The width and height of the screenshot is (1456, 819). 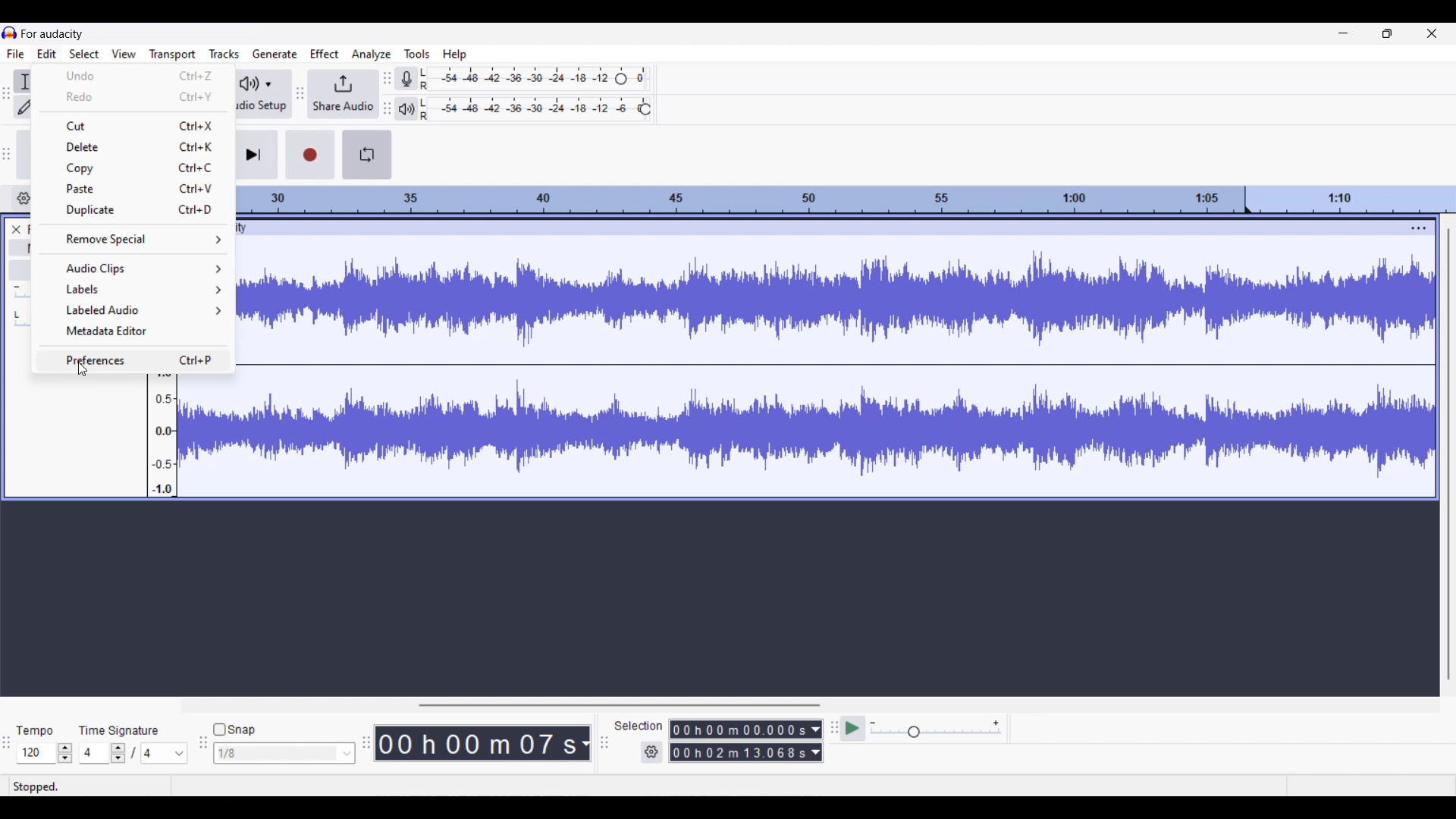 I want to click on Playback speed scale, so click(x=936, y=728).